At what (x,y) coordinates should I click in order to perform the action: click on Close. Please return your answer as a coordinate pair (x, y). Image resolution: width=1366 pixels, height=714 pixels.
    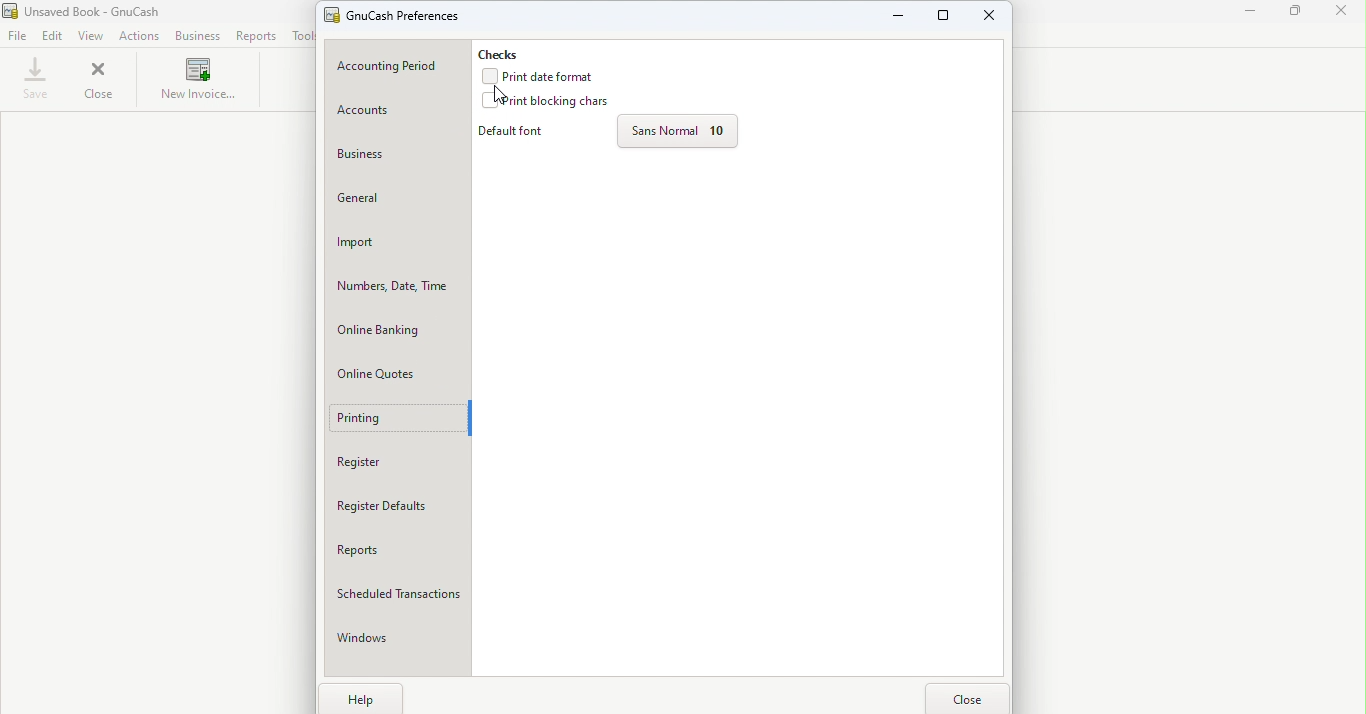
    Looking at the image, I should click on (991, 16).